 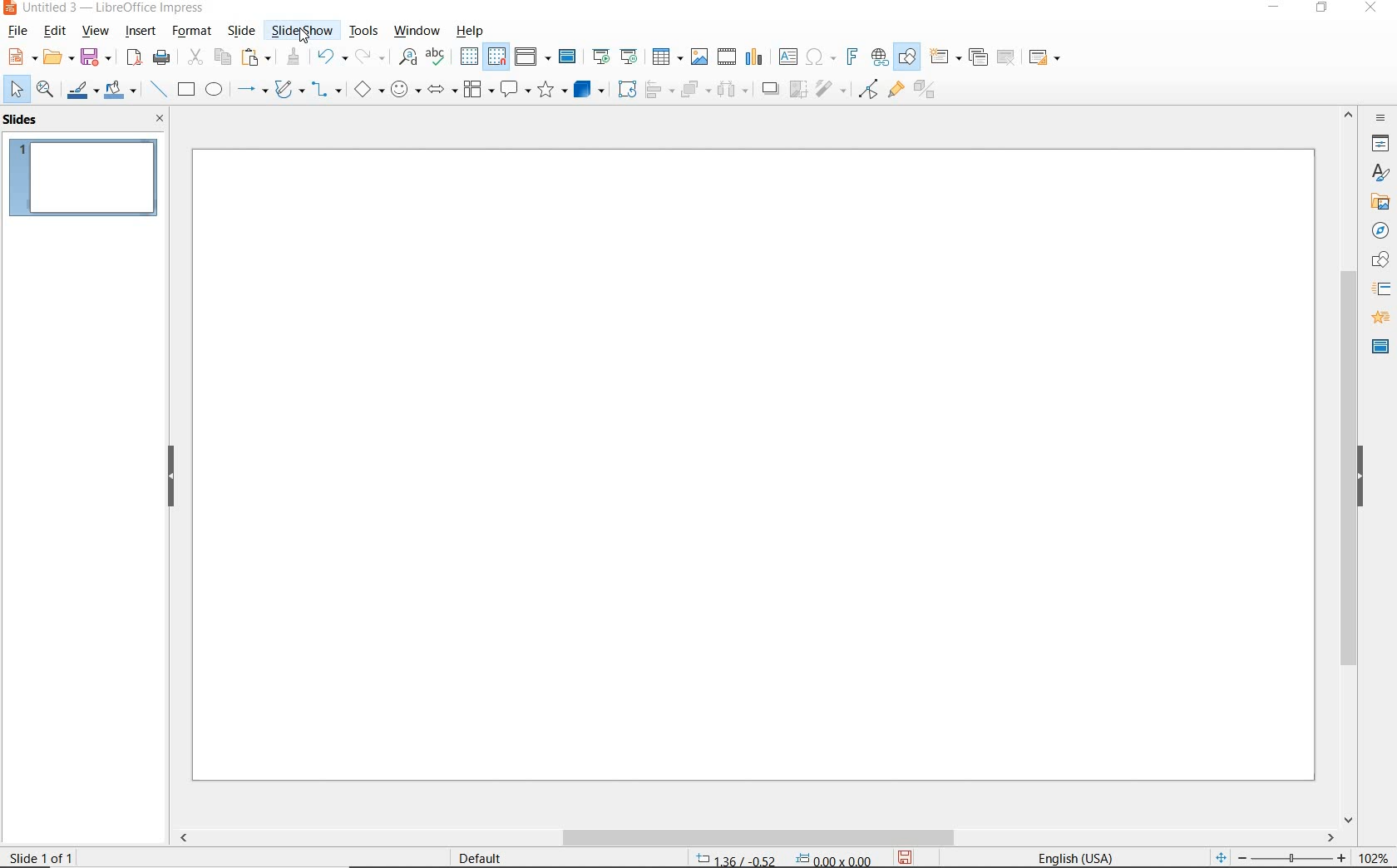 What do you see at coordinates (442, 87) in the screenshot?
I see `BLOCK ARROWS` at bounding box center [442, 87].